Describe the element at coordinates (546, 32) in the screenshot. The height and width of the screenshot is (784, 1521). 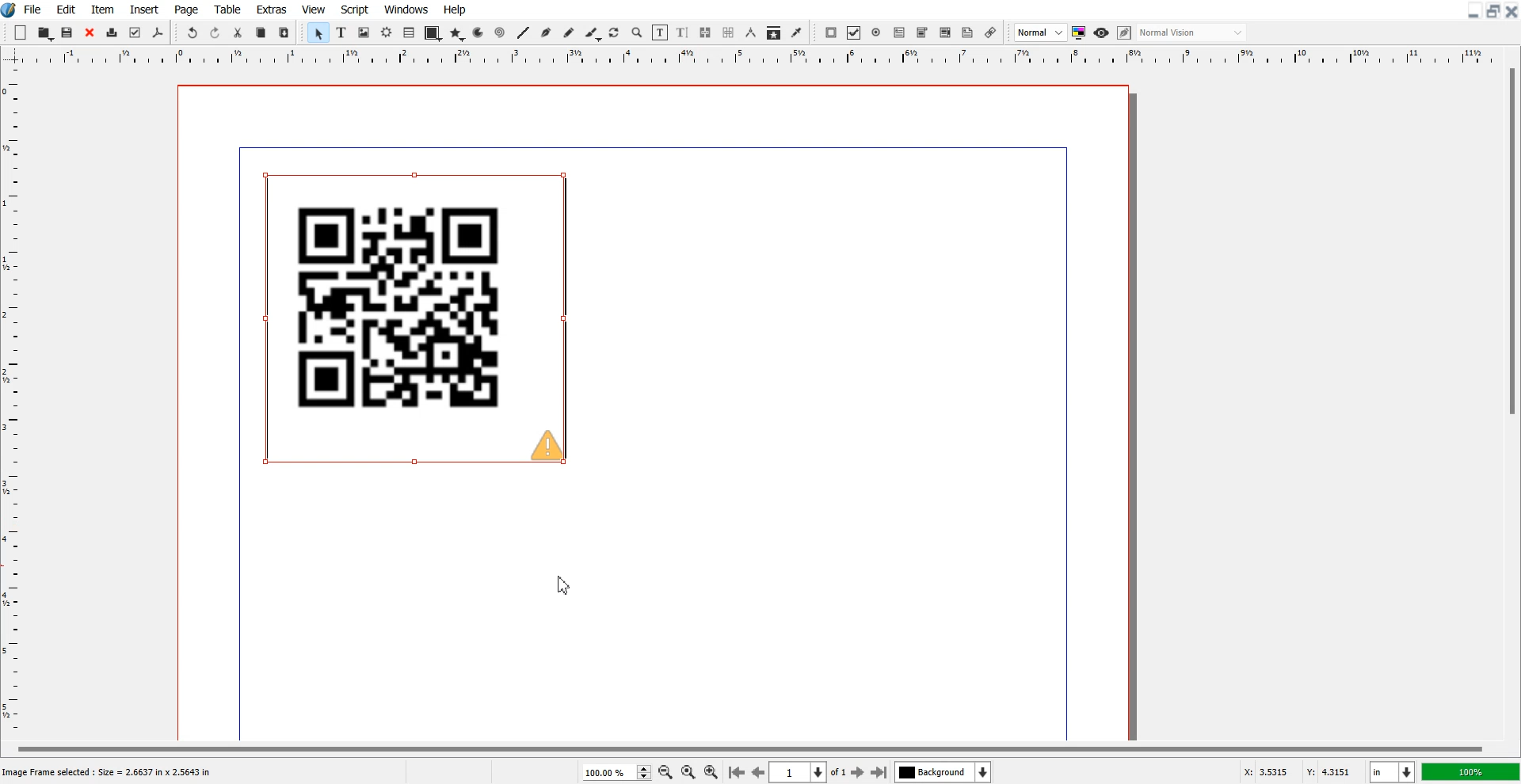
I see `Bezier Curve` at that location.